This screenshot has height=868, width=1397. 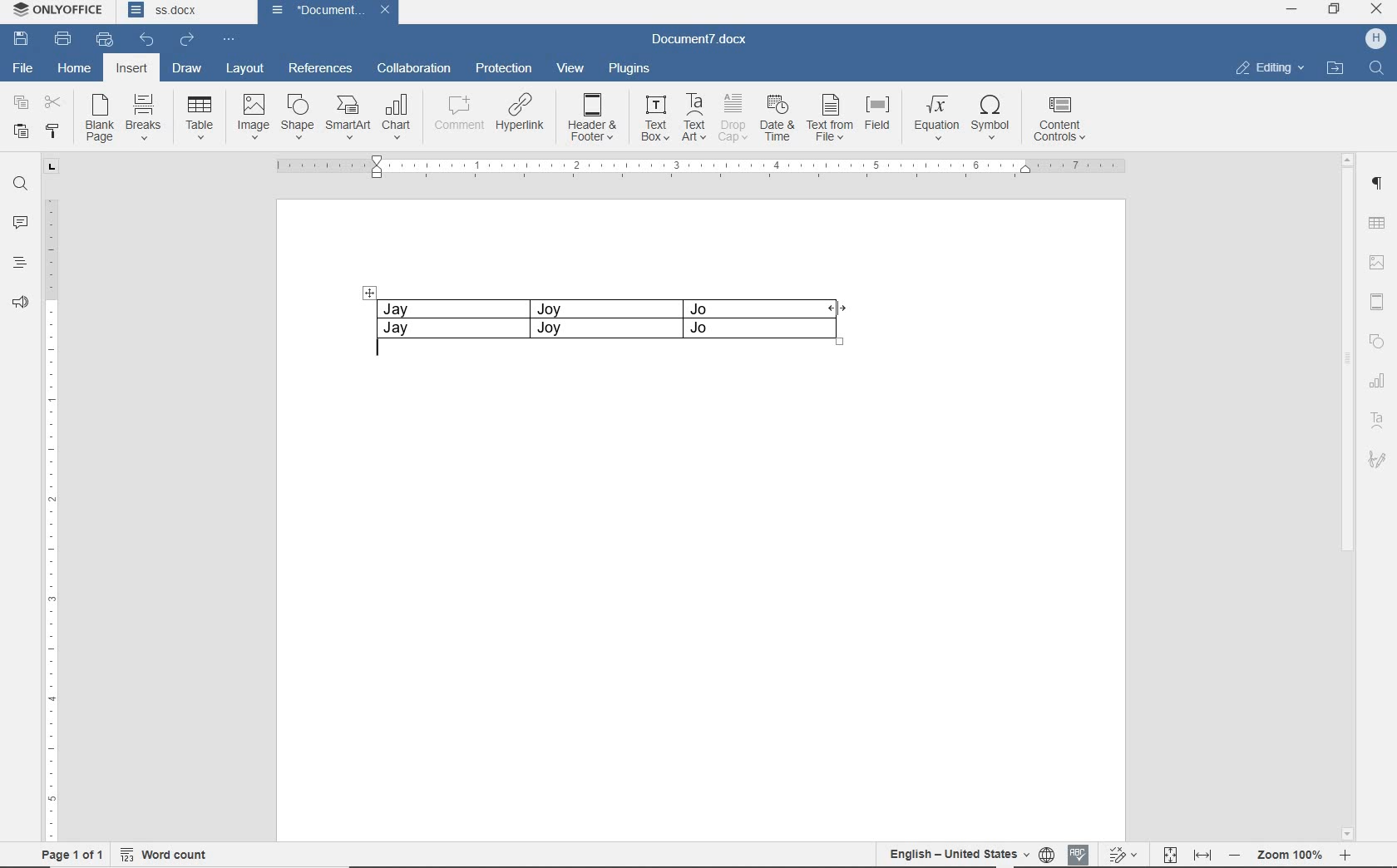 What do you see at coordinates (1377, 341) in the screenshot?
I see `SHAPE` at bounding box center [1377, 341].